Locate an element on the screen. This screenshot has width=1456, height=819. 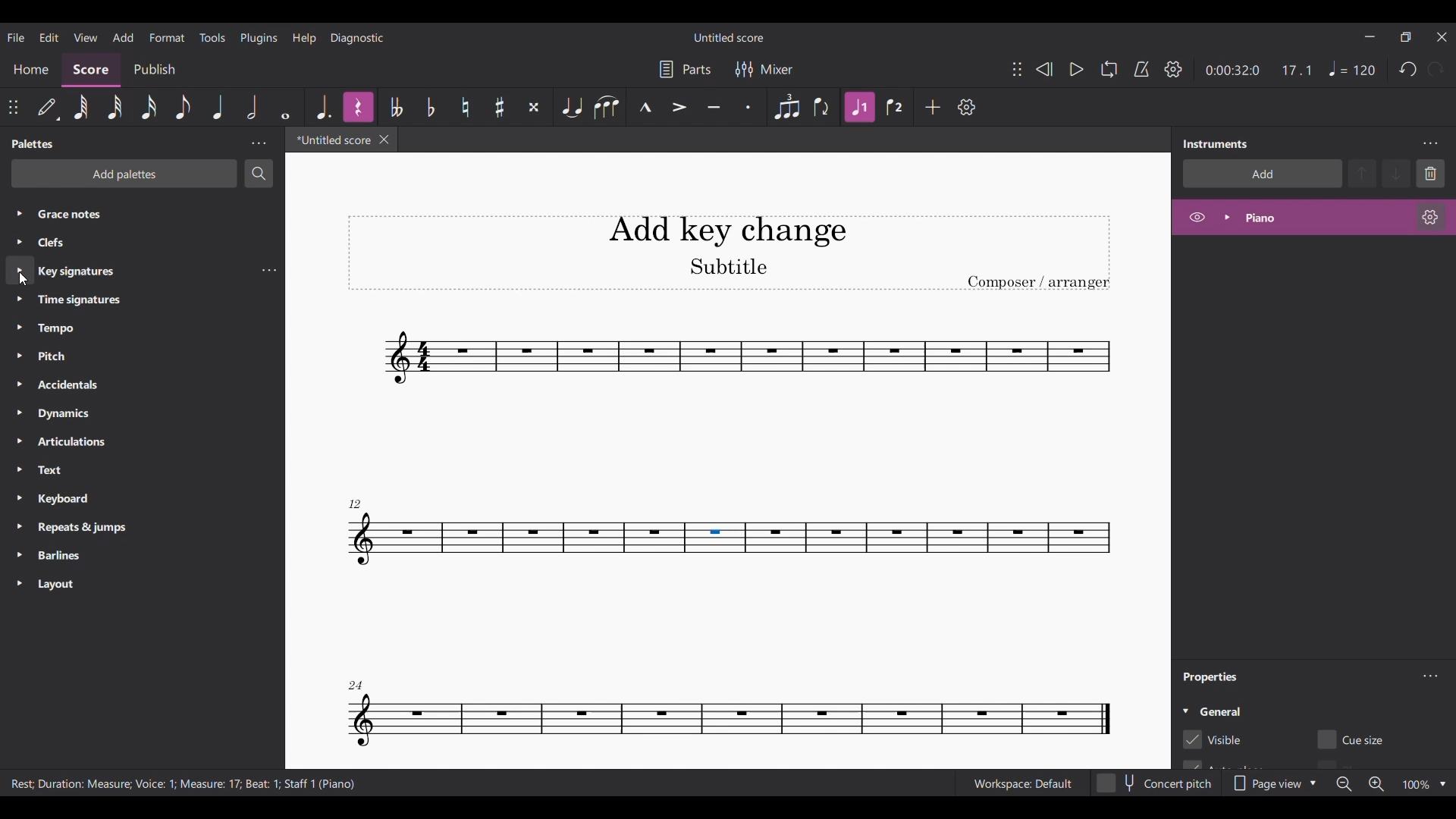
Instruments settings is located at coordinates (1429, 143).